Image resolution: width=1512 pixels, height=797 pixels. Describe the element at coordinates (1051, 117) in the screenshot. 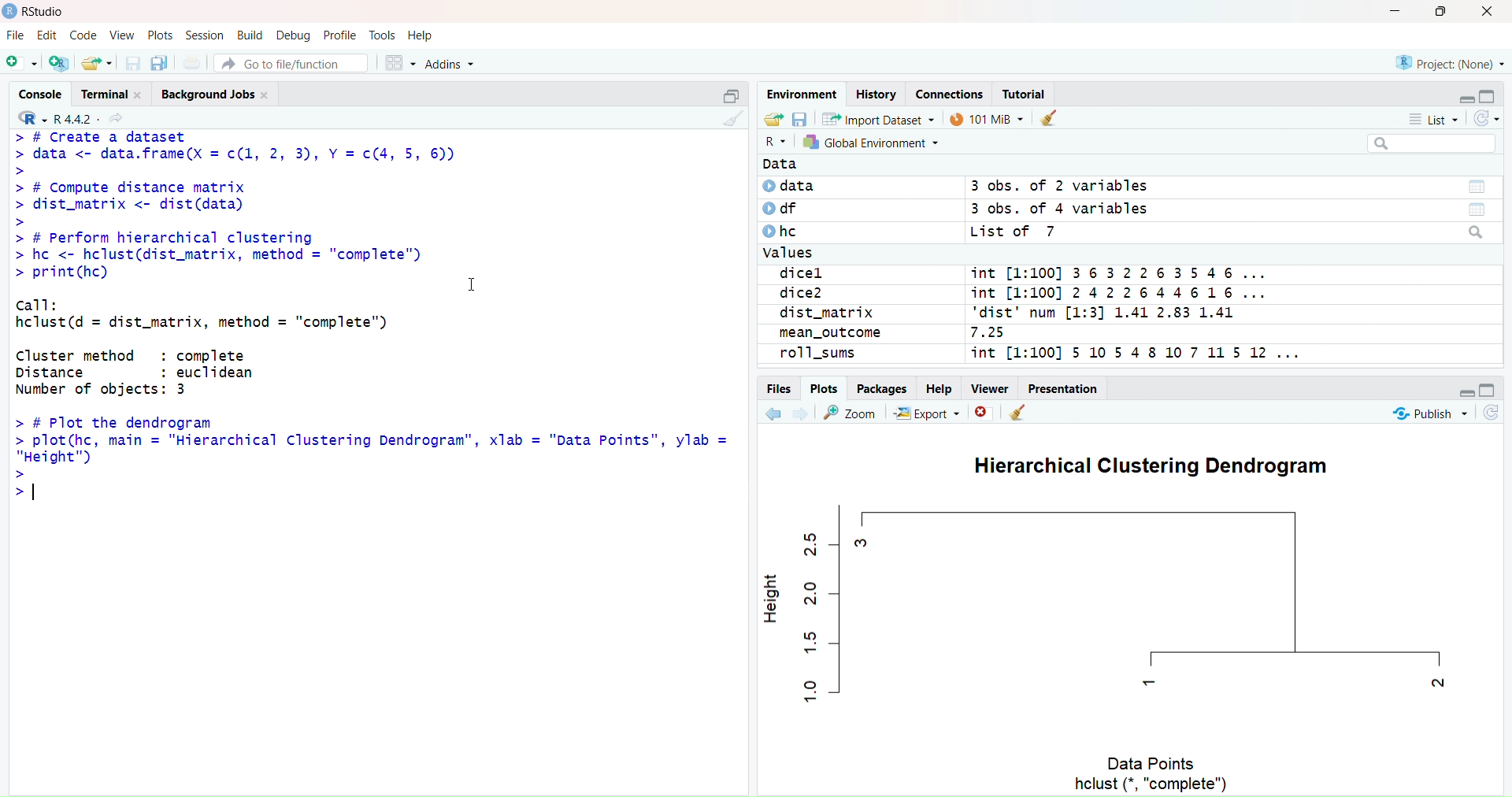

I see `Clear console (Ctrl +L)` at that location.